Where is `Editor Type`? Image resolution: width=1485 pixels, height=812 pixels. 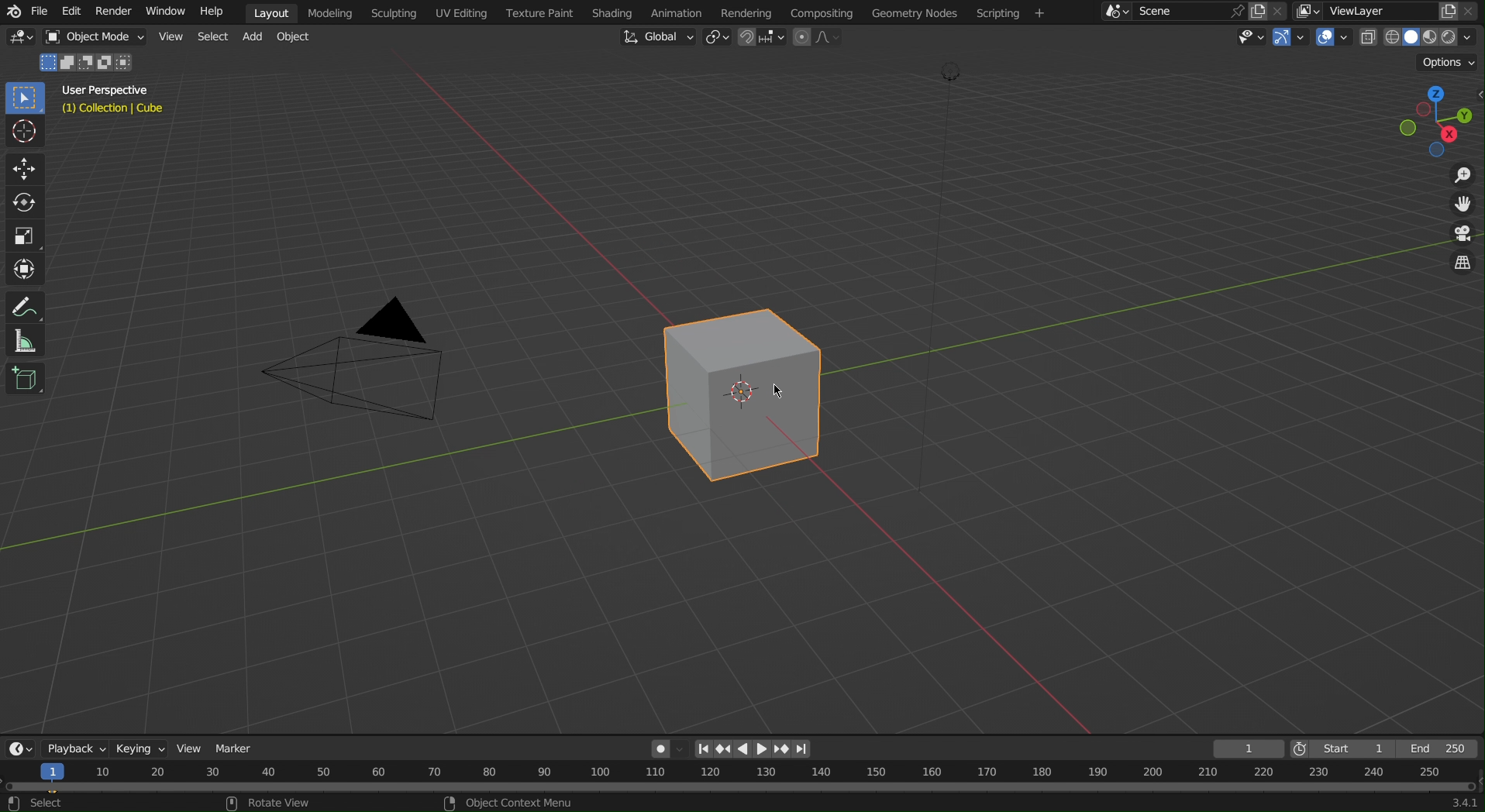
Editor Type is located at coordinates (19, 36).